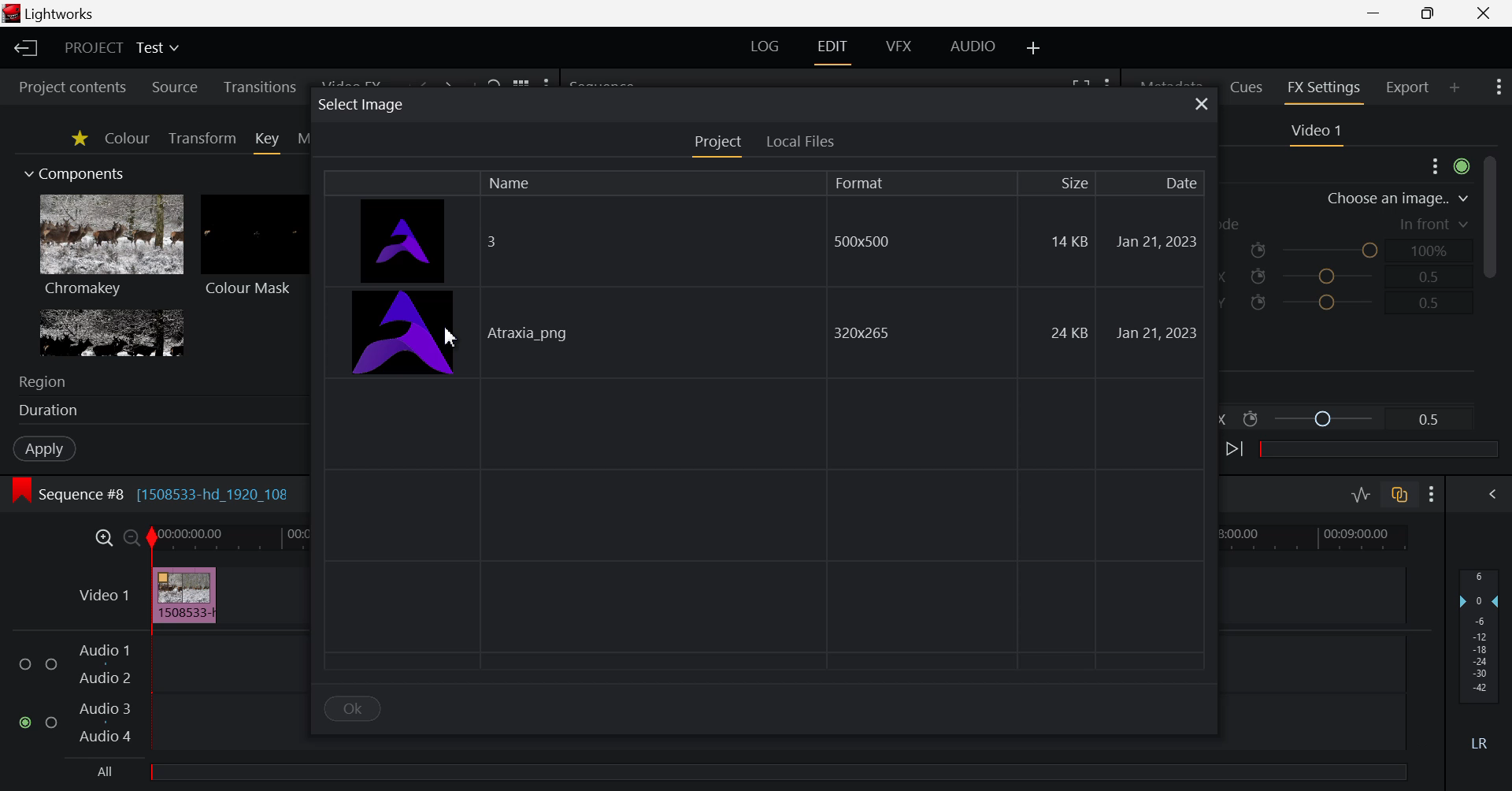 This screenshot has width=1512, height=791. I want to click on Size, so click(1075, 180).